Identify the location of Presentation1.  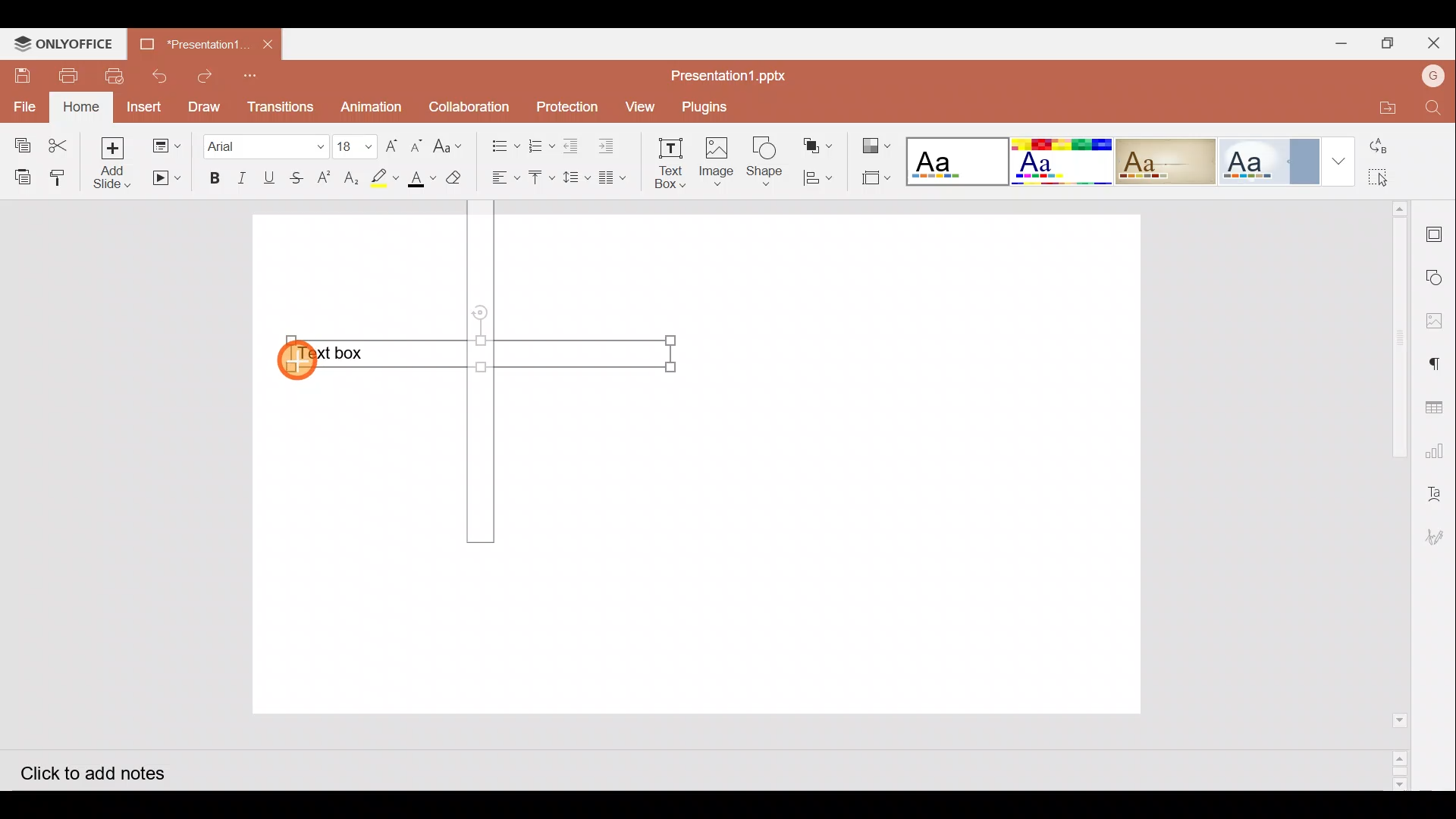
(187, 42).